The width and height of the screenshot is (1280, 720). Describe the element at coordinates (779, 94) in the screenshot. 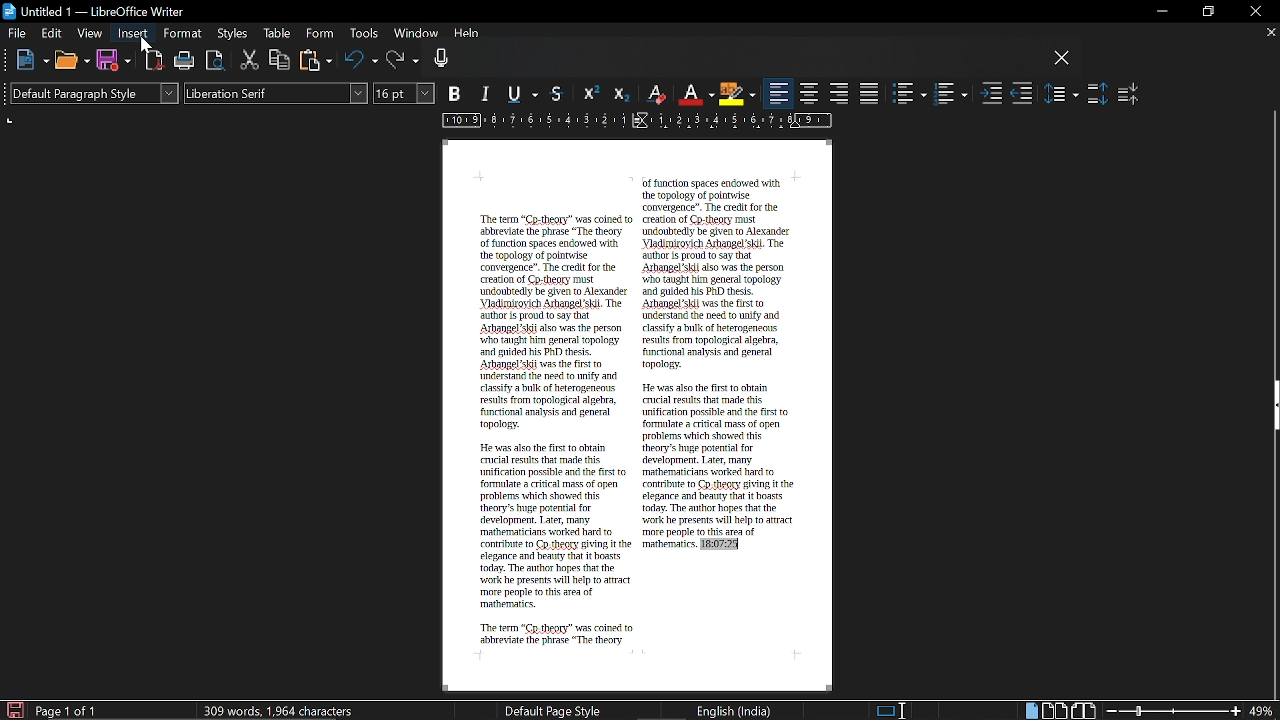

I see `Align left` at that location.